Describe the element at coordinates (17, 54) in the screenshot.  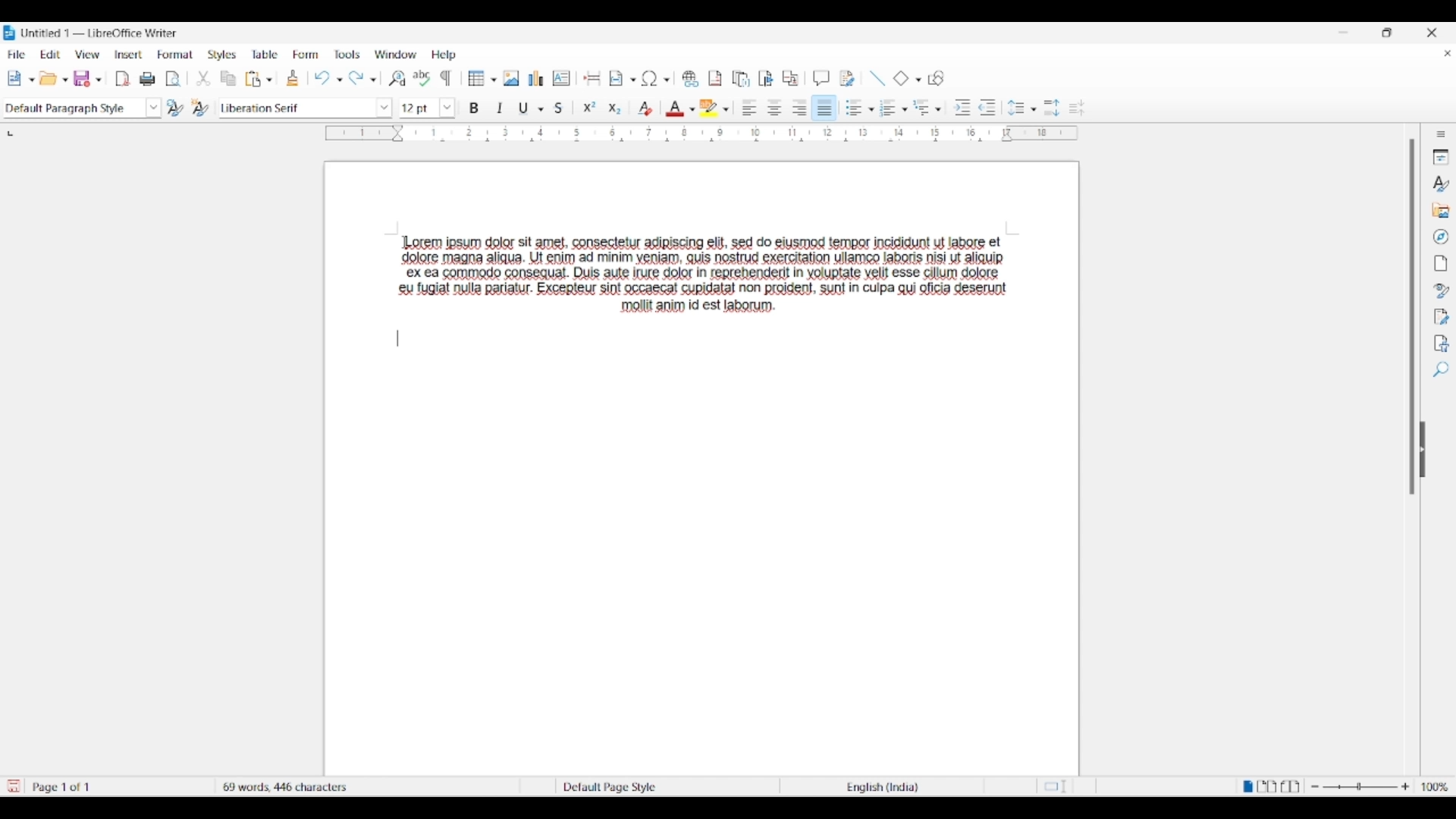
I see `File` at that location.